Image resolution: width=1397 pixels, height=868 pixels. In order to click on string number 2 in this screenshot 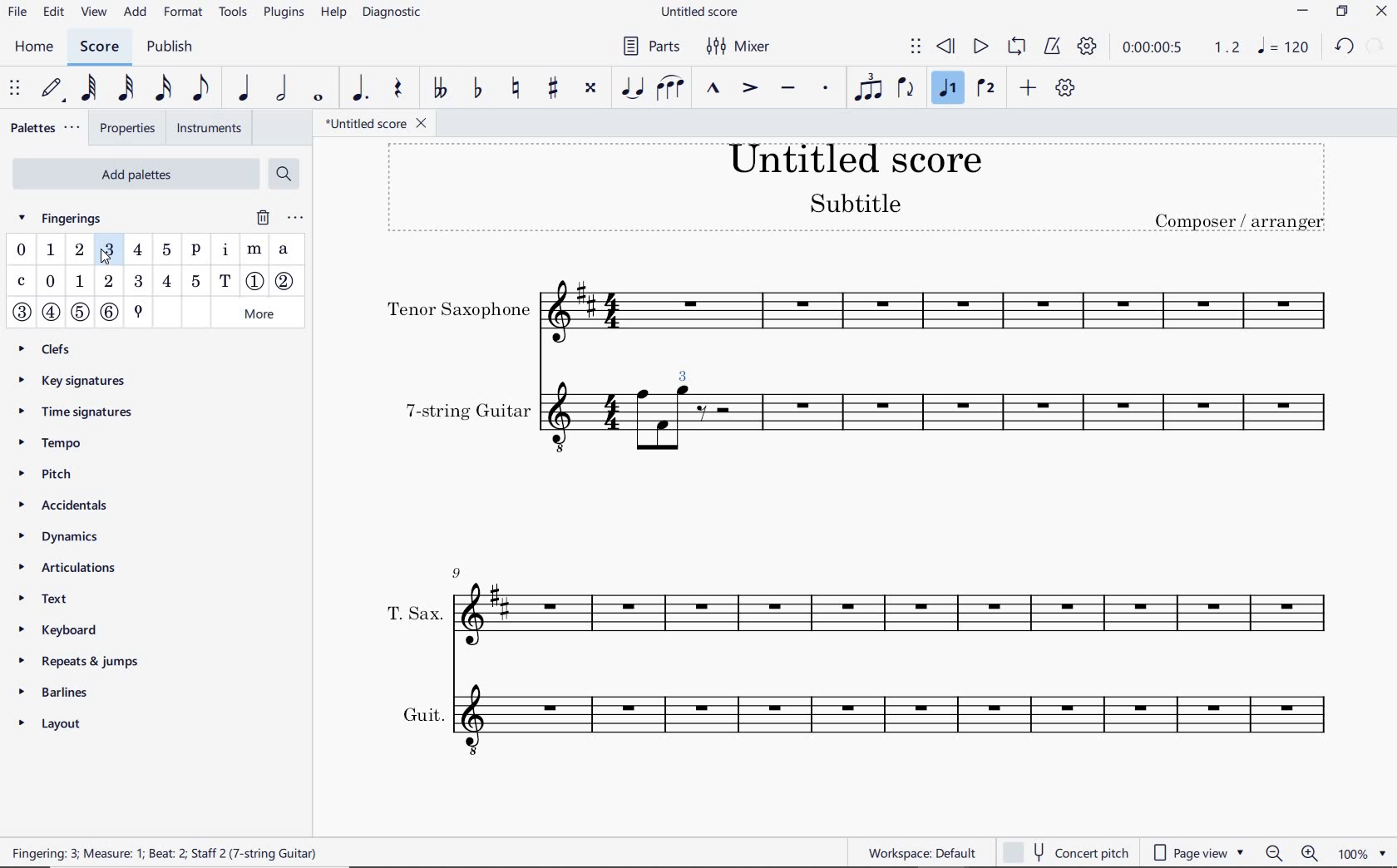, I will do `click(287, 282)`.